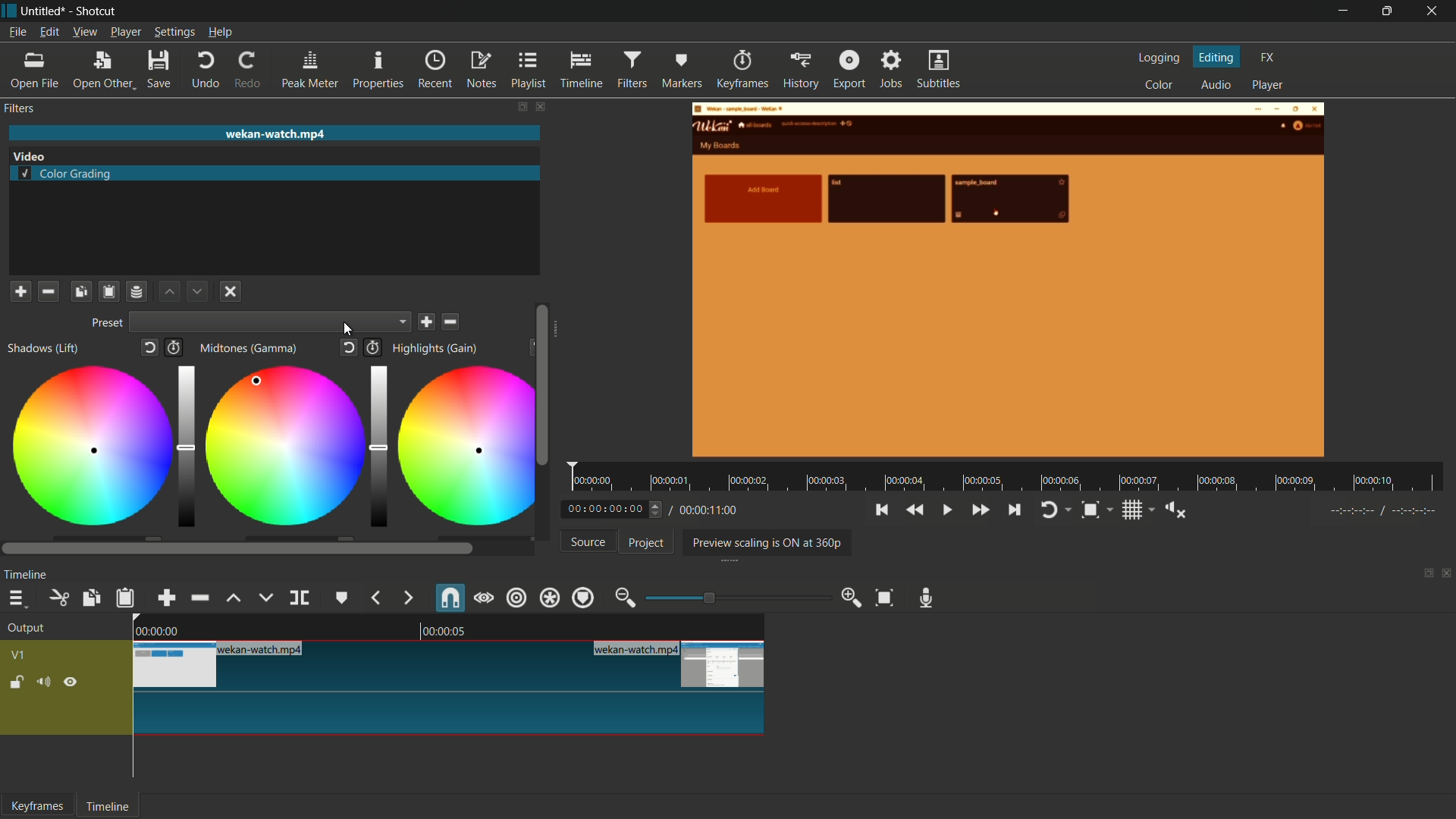 The image size is (1456, 819). Describe the element at coordinates (49, 293) in the screenshot. I see `remove a filter` at that location.